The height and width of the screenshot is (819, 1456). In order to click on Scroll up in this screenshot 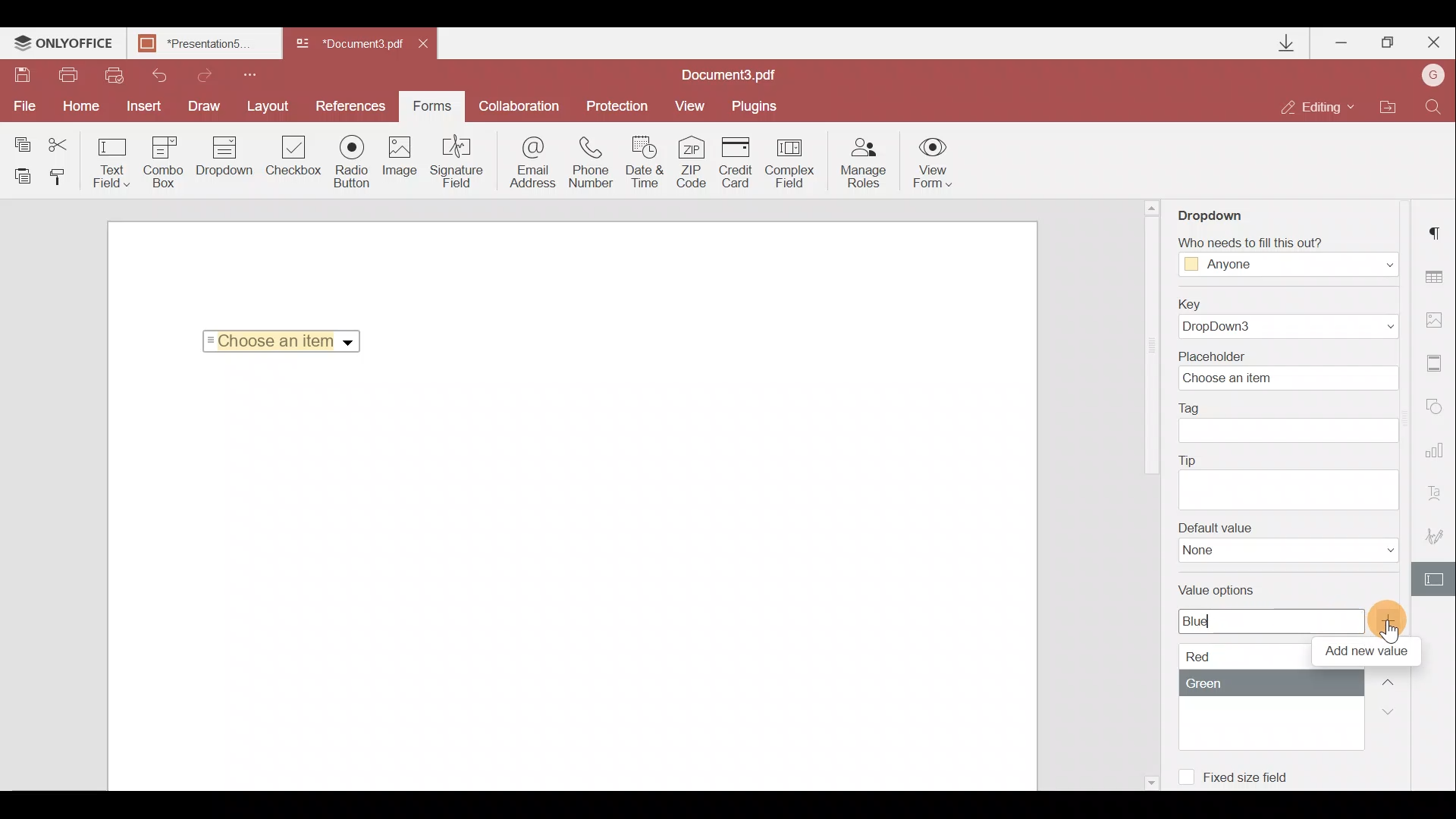, I will do `click(1153, 207)`.